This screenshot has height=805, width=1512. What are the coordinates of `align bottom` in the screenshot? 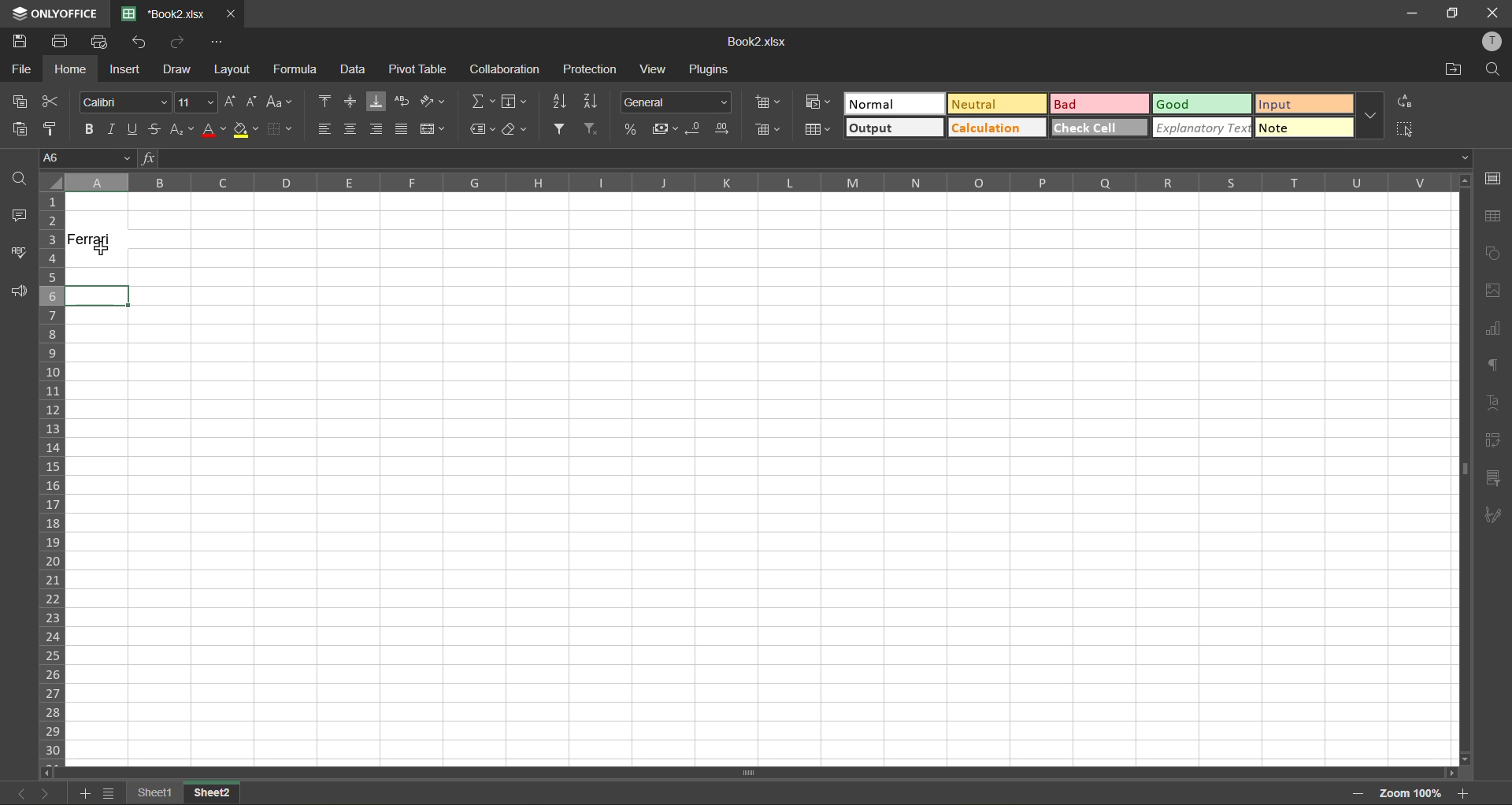 It's located at (377, 101).